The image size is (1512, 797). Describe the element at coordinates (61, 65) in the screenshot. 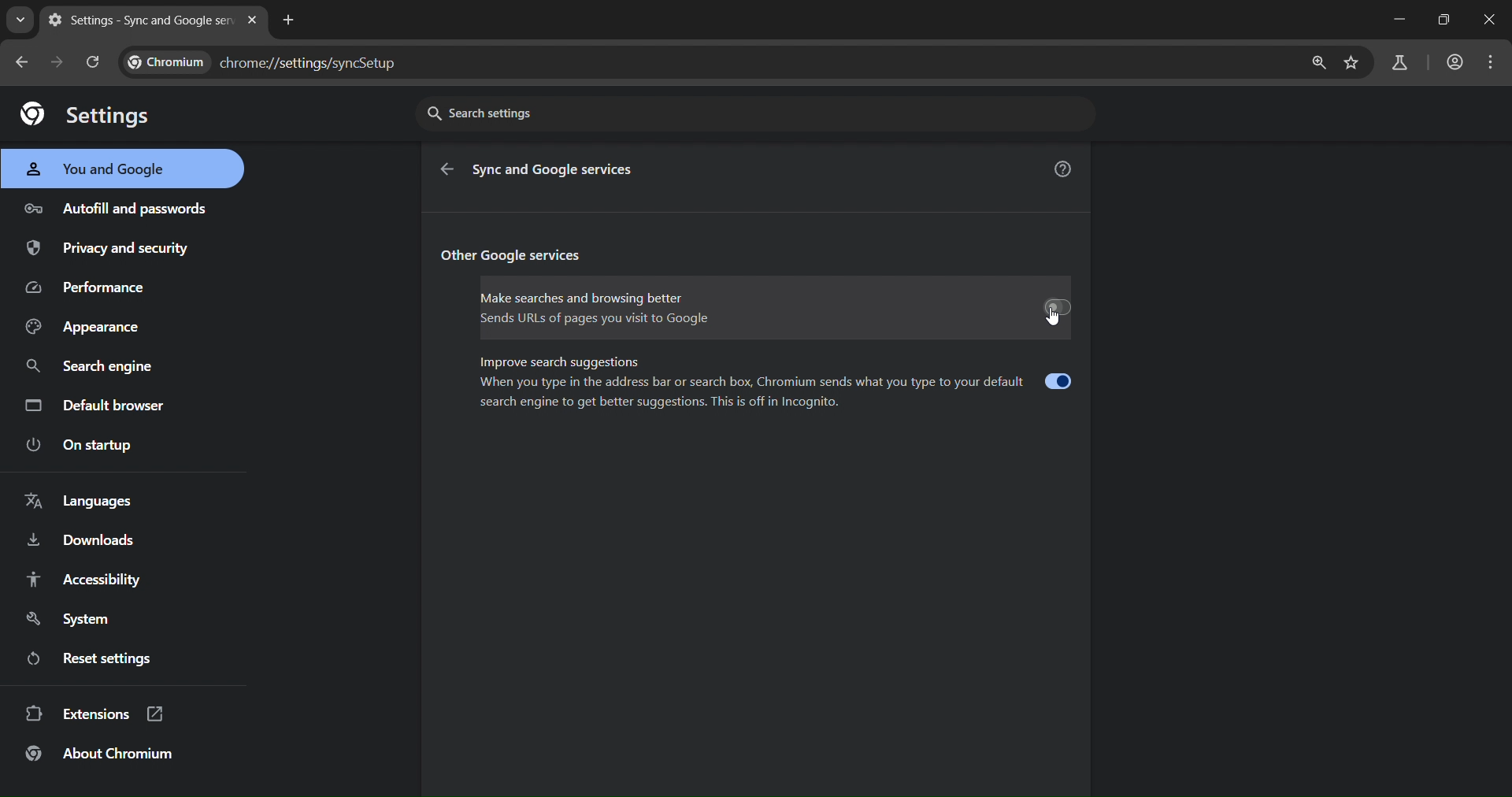

I see `go forward one page` at that location.